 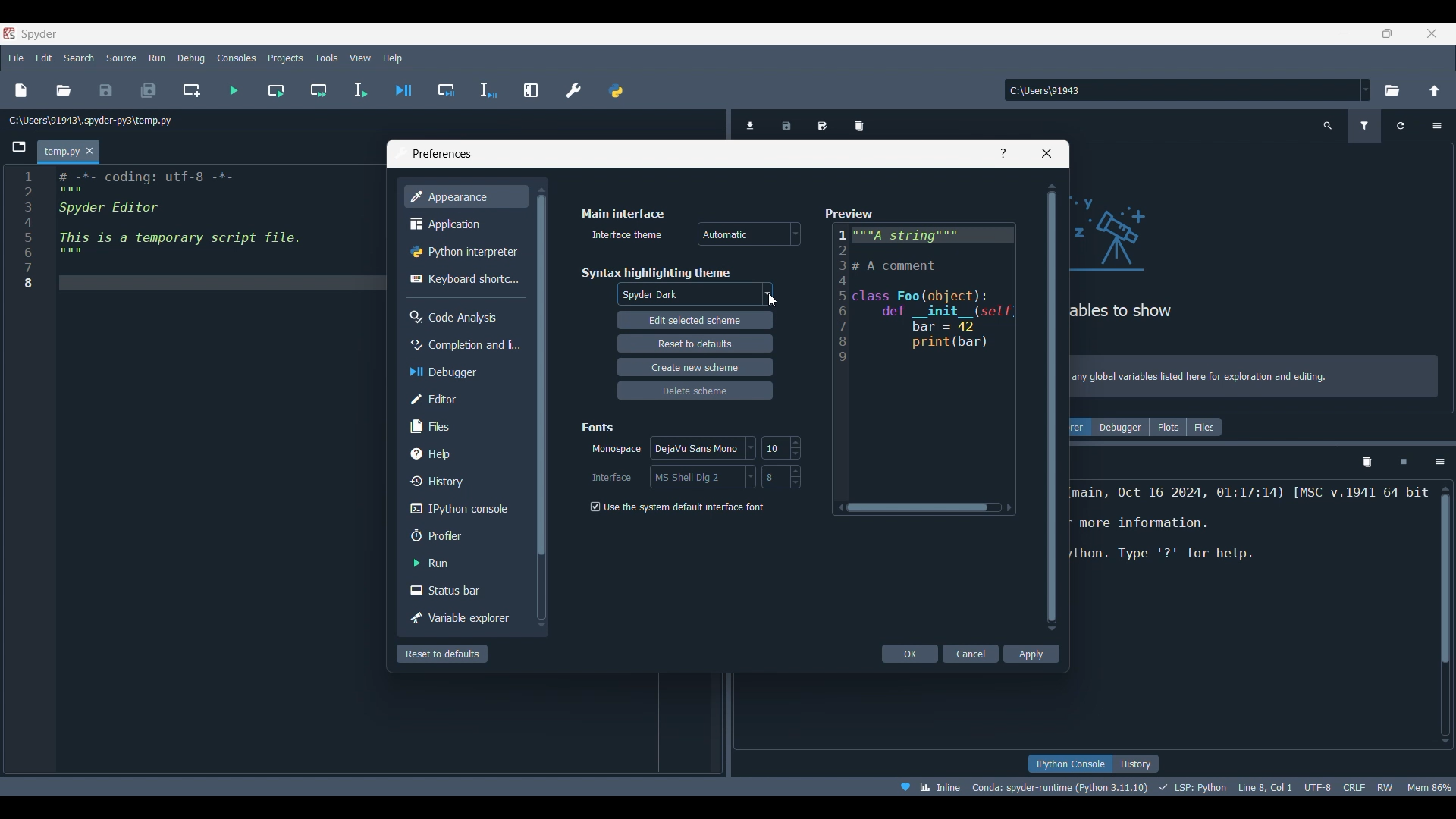 I want to click on font size, so click(x=780, y=447).